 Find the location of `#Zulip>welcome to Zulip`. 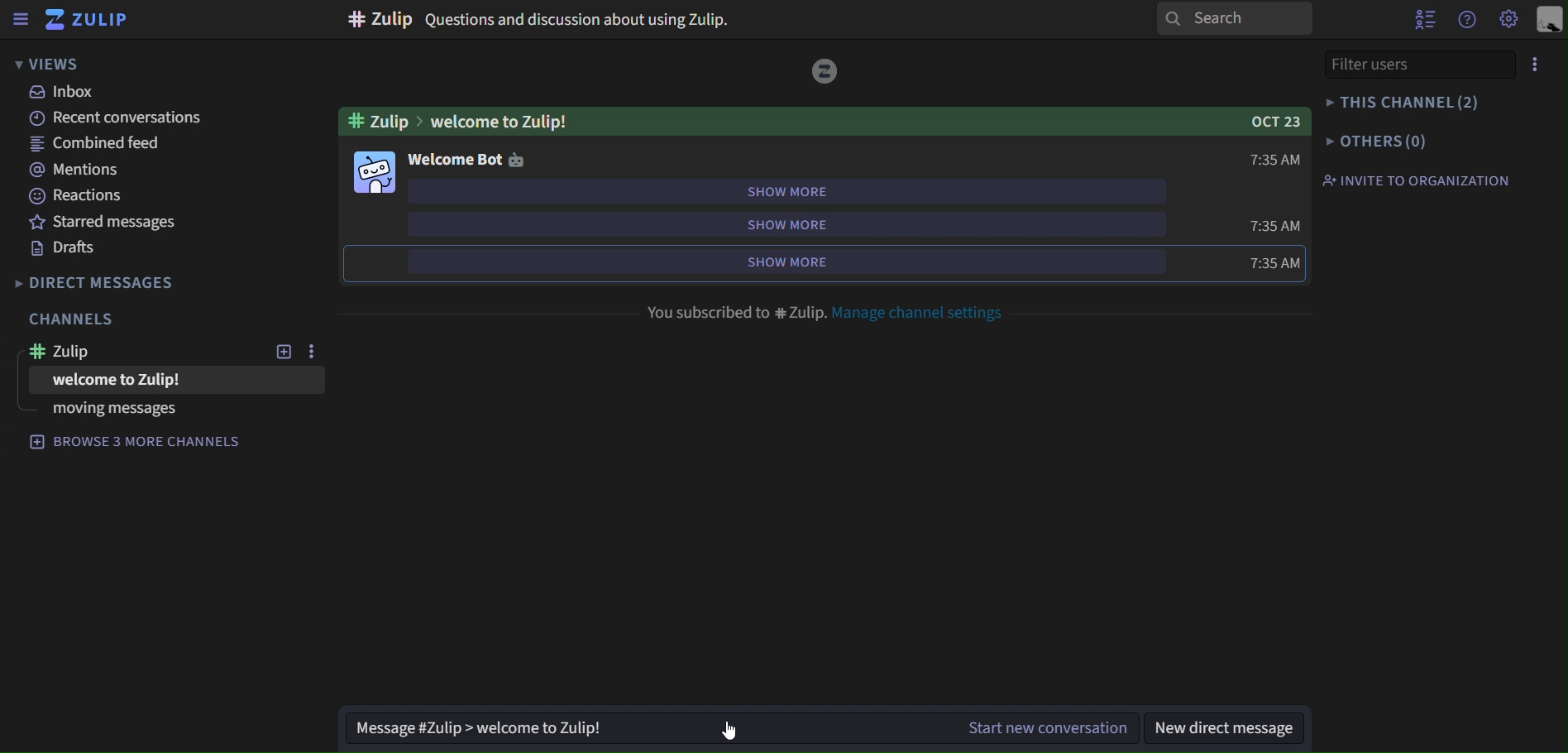

#Zulip>welcome to Zulip is located at coordinates (457, 122).